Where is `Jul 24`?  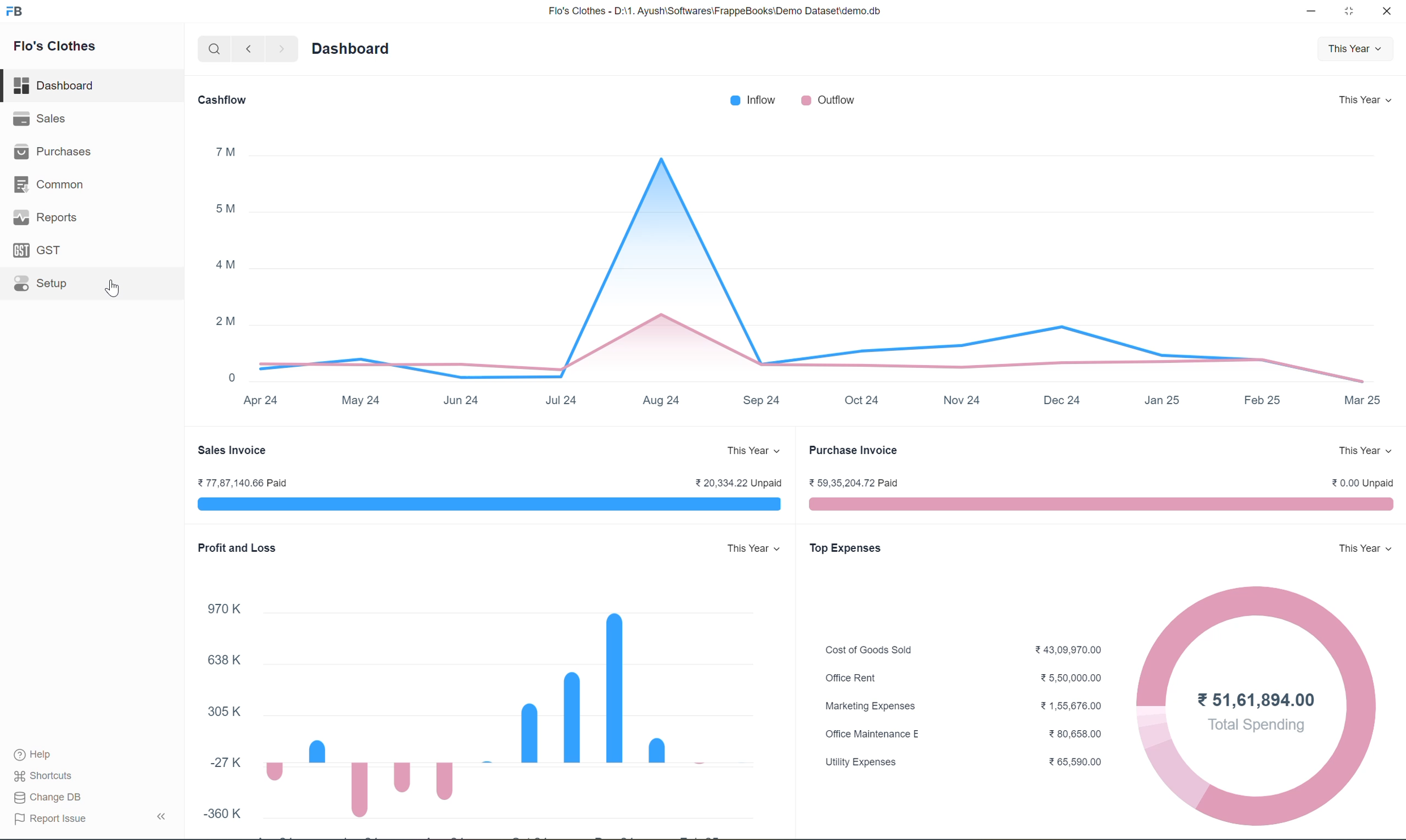
Jul 24 is located at coordinates (560, 400).